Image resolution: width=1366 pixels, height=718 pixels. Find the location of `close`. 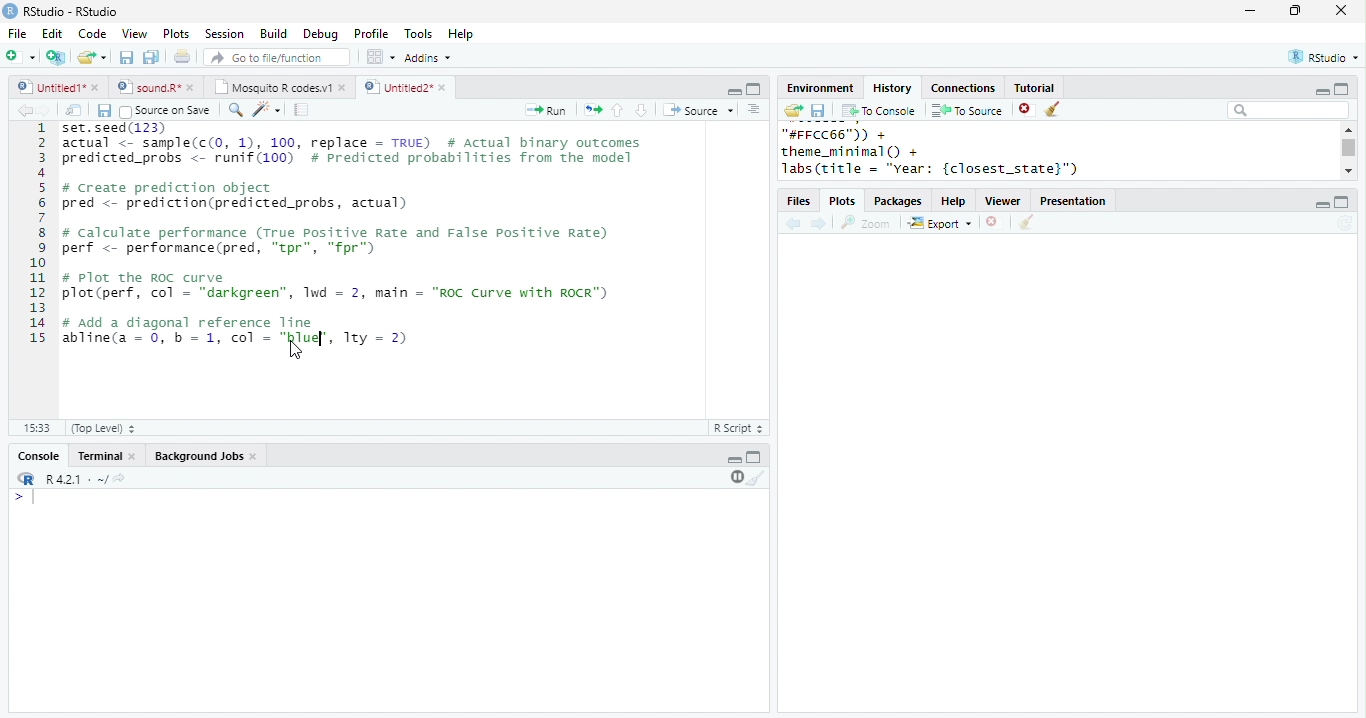

close is located at coordinates (134, 457).